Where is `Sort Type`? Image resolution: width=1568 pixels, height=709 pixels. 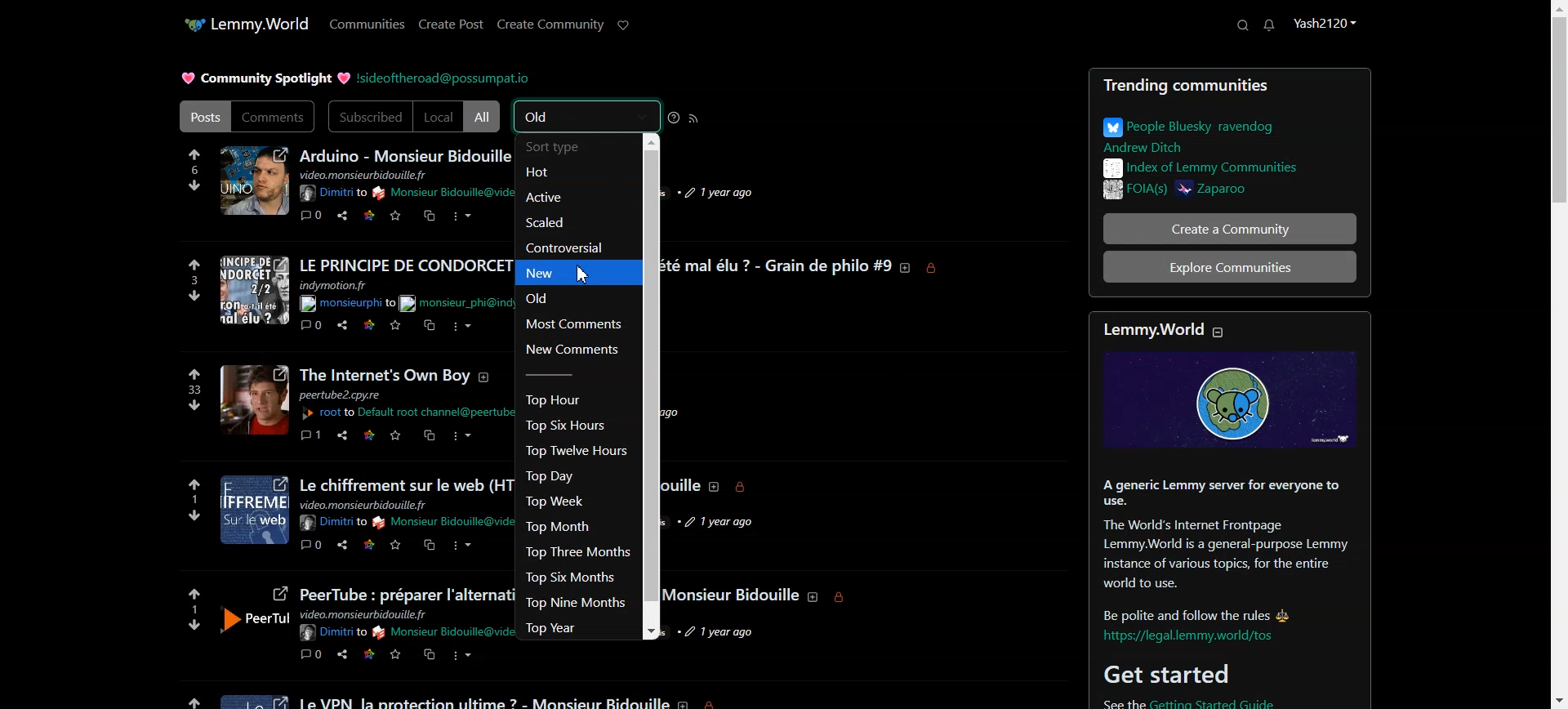
Sort Type is located at coordinates (562, 148).